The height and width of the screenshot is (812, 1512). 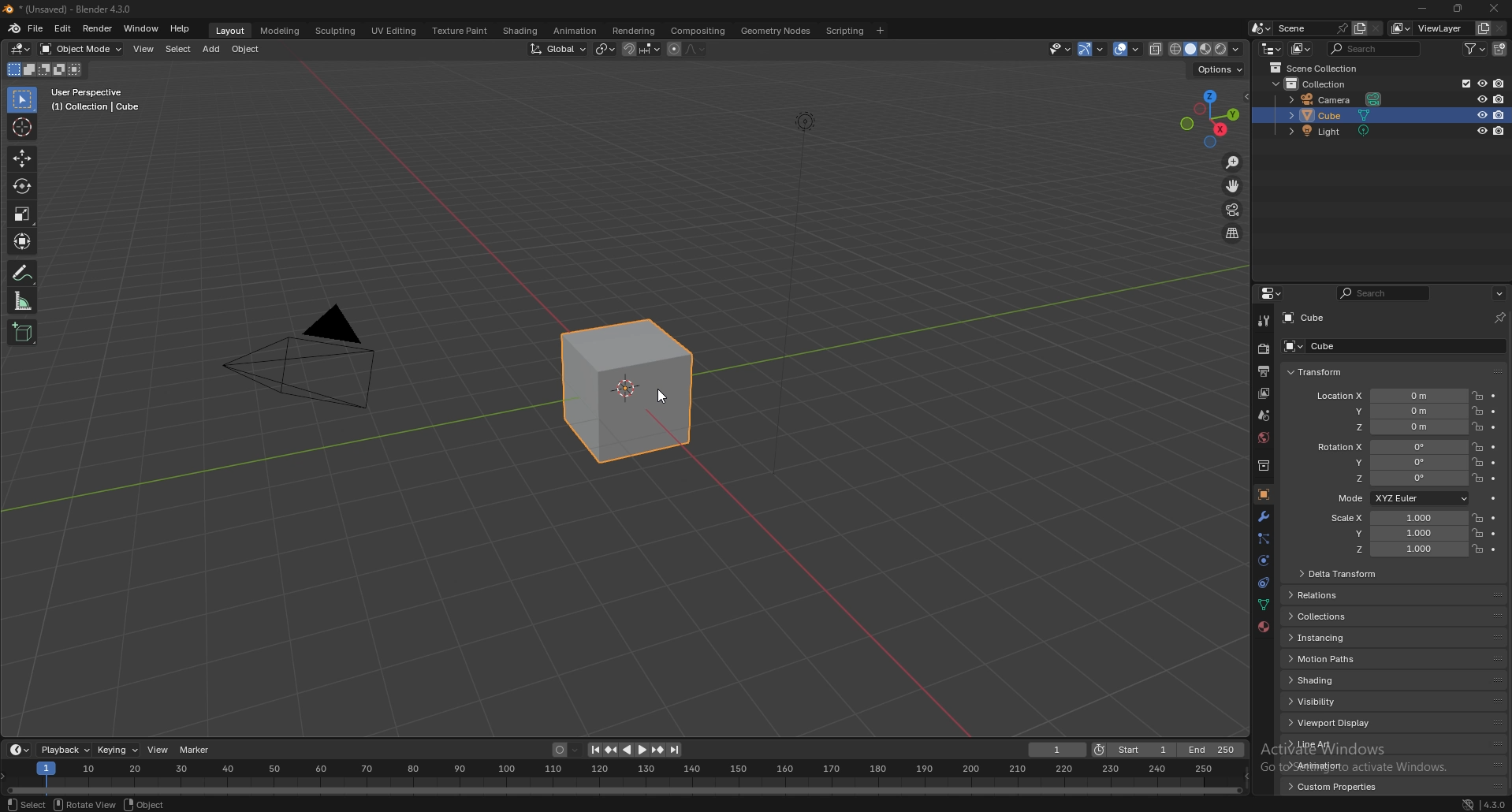 What do you see at coordinates (1482, 115) in the screenshot?
I see `hide in viewport` at bounding box center [1482, 115].